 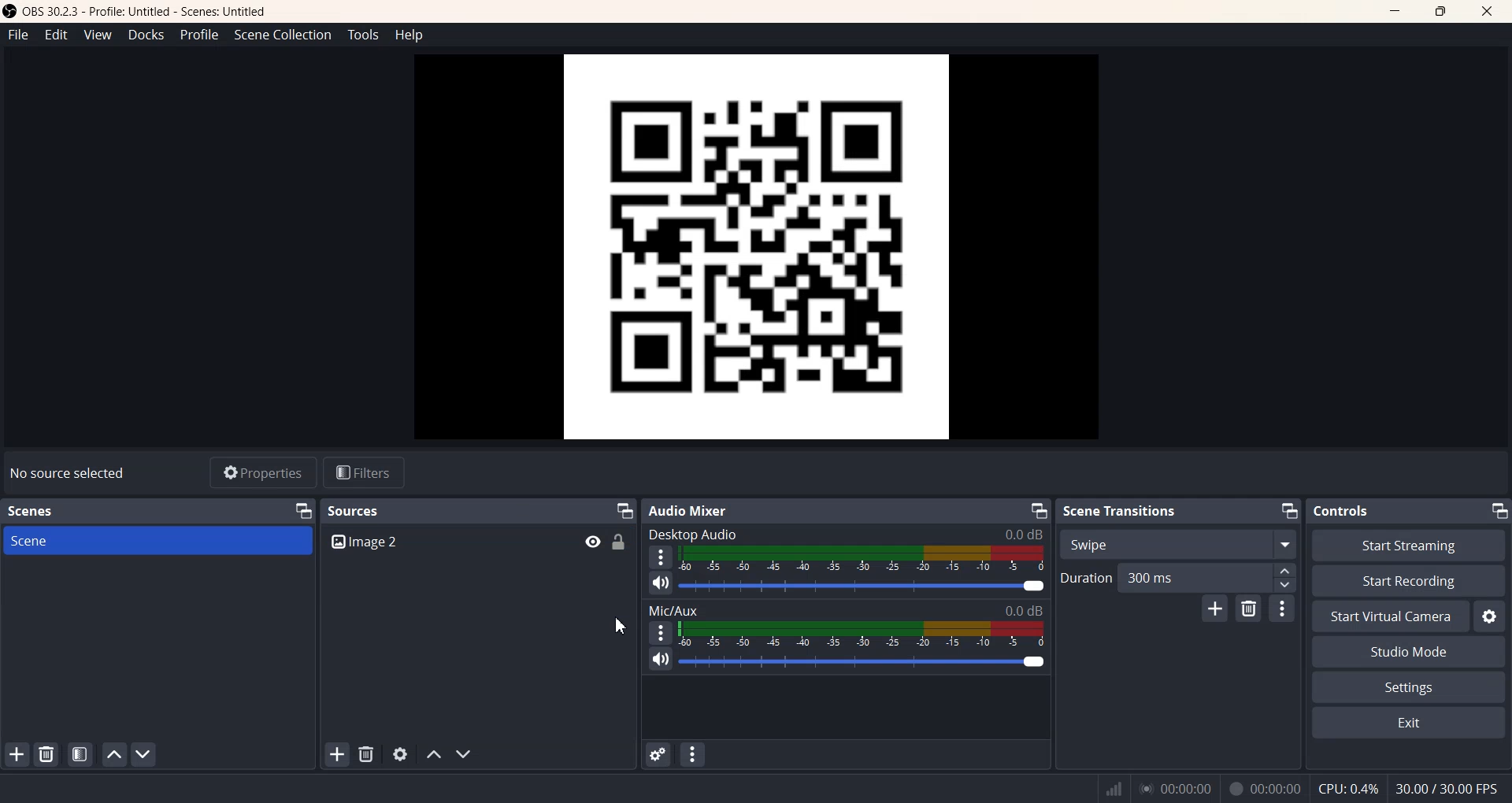 I want to click on Start Virtual Camera, so click(x=1388, y=616).